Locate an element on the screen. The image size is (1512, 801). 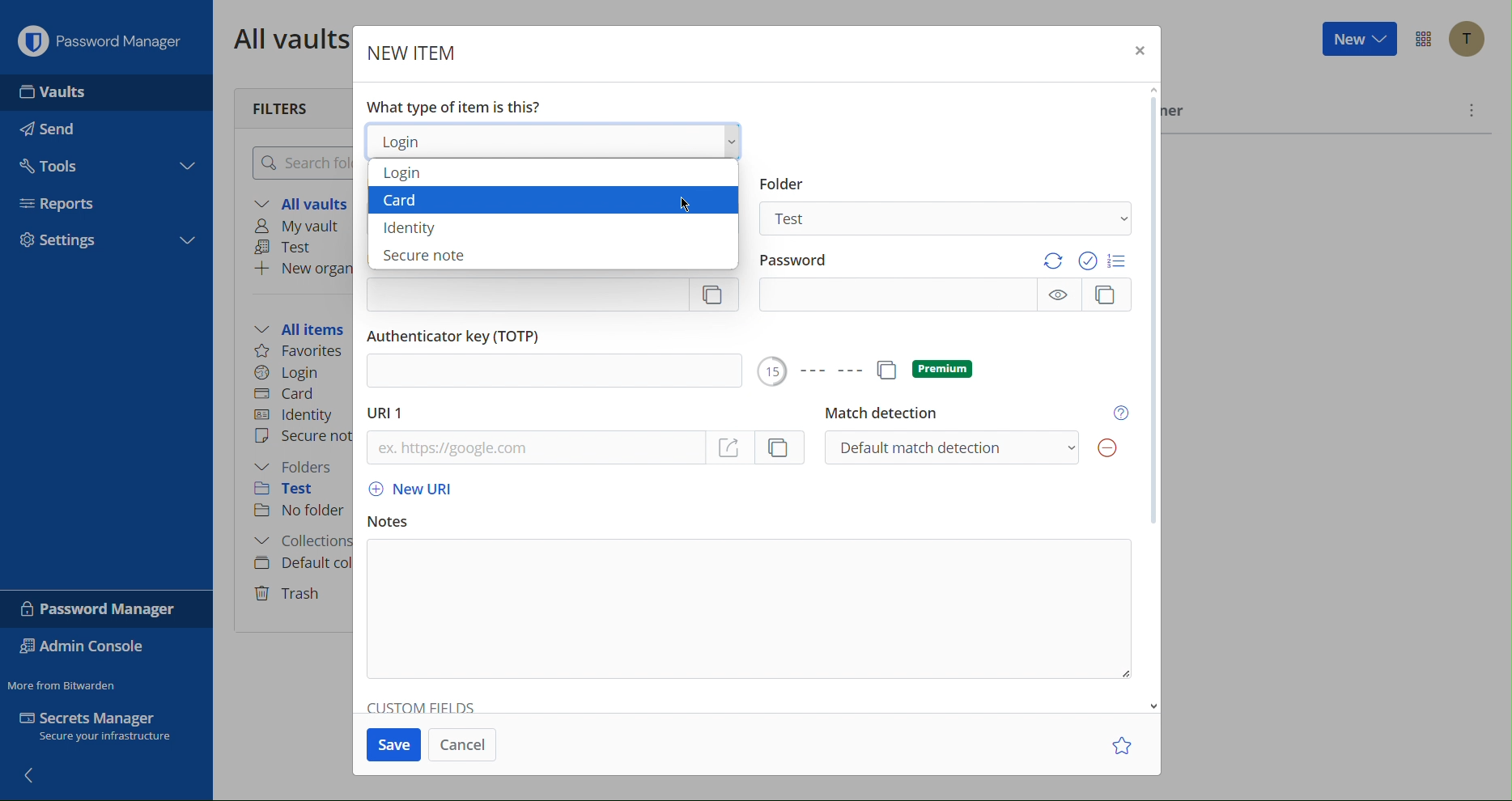
Default collection is located at coordinates (303, 563).